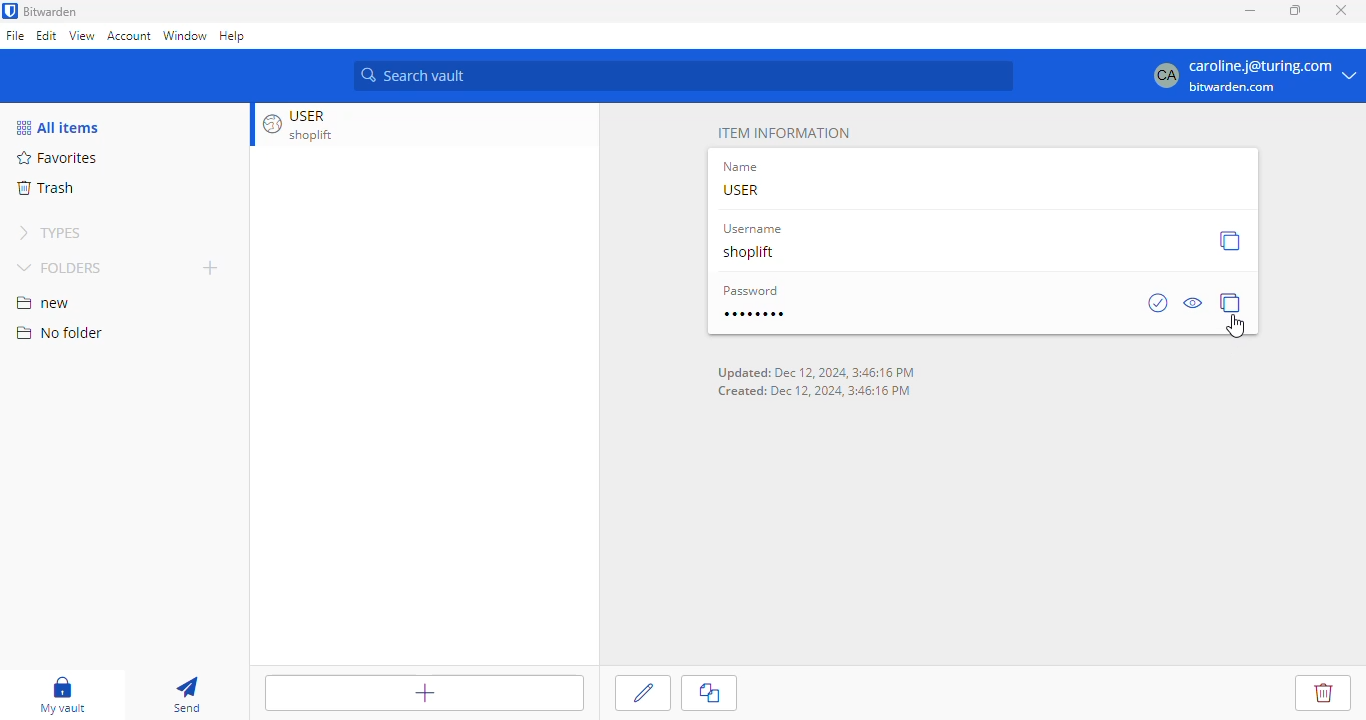  Describe the element at coordinates (686, 73) in the screenshot. I see `search vault` at that location.